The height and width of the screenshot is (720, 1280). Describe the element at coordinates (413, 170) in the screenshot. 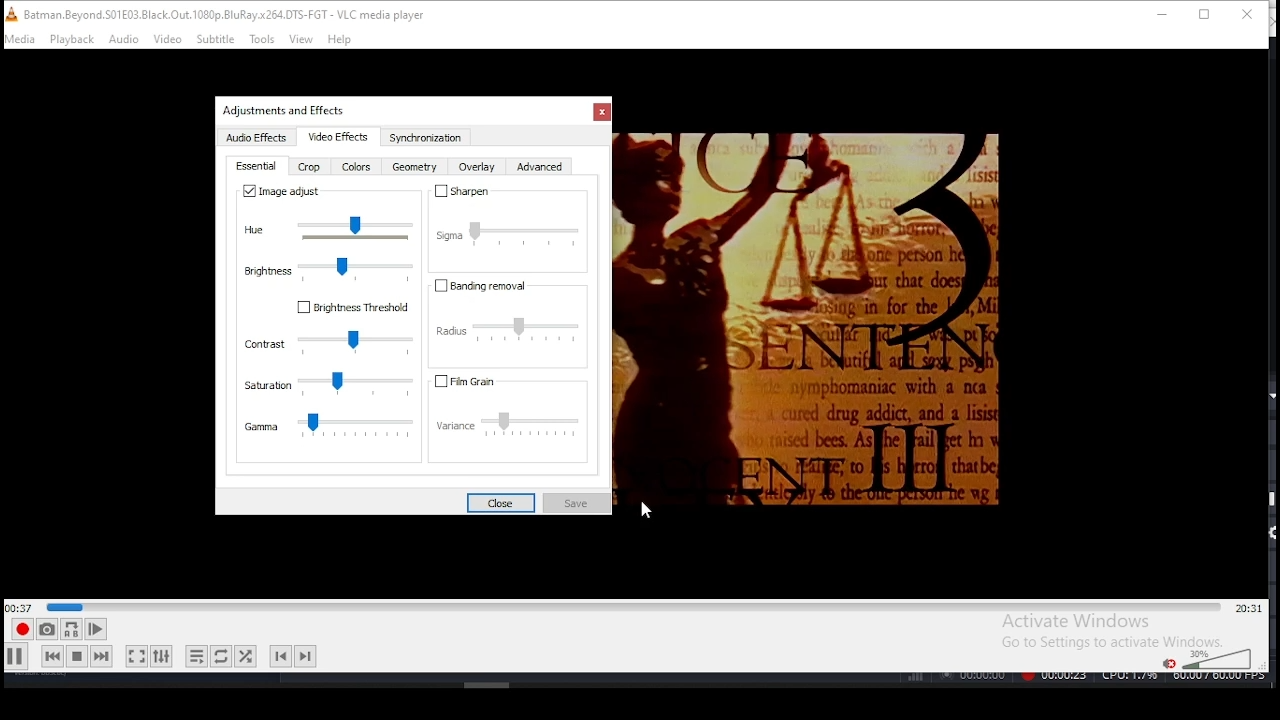

I see `geometry` at that location.